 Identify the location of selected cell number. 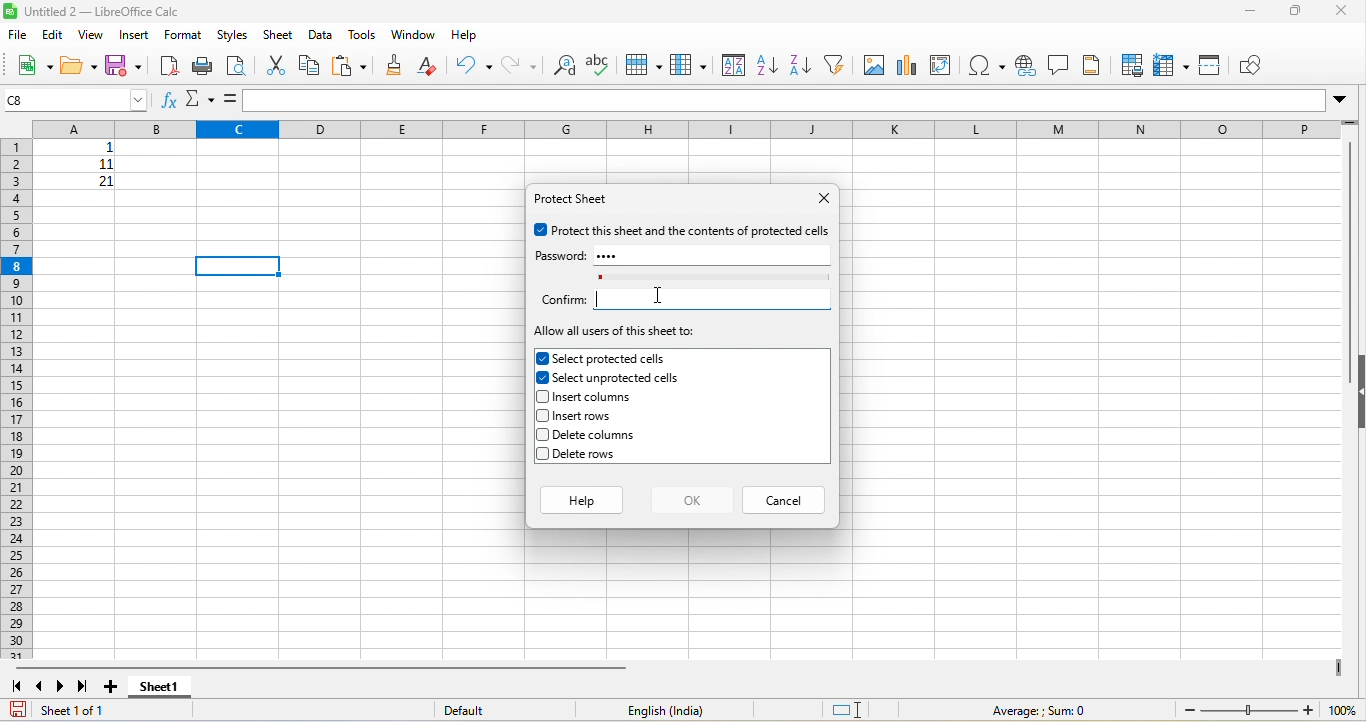
(77, 99).